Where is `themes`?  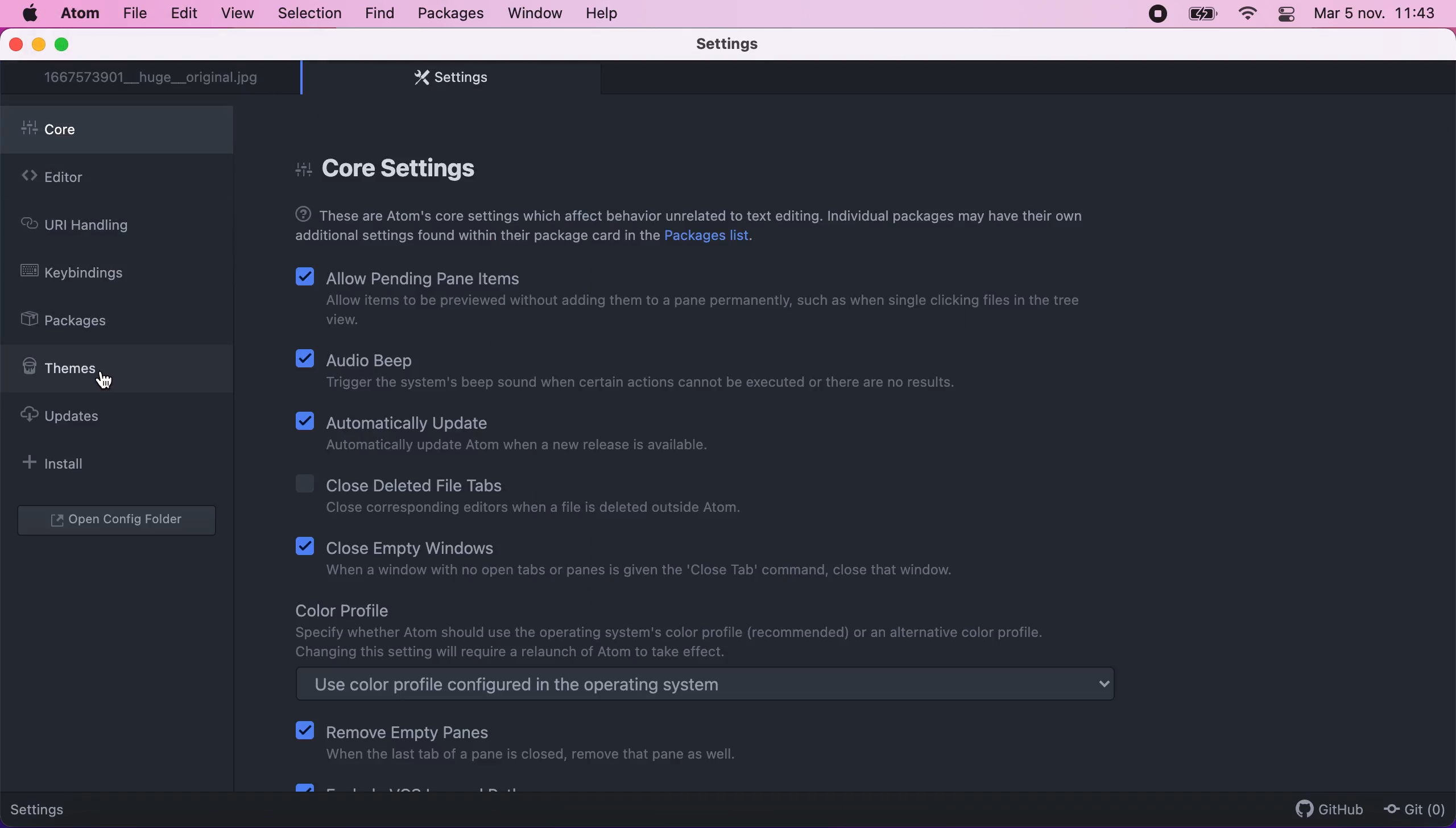
themes is located at coordinates (117, 372).